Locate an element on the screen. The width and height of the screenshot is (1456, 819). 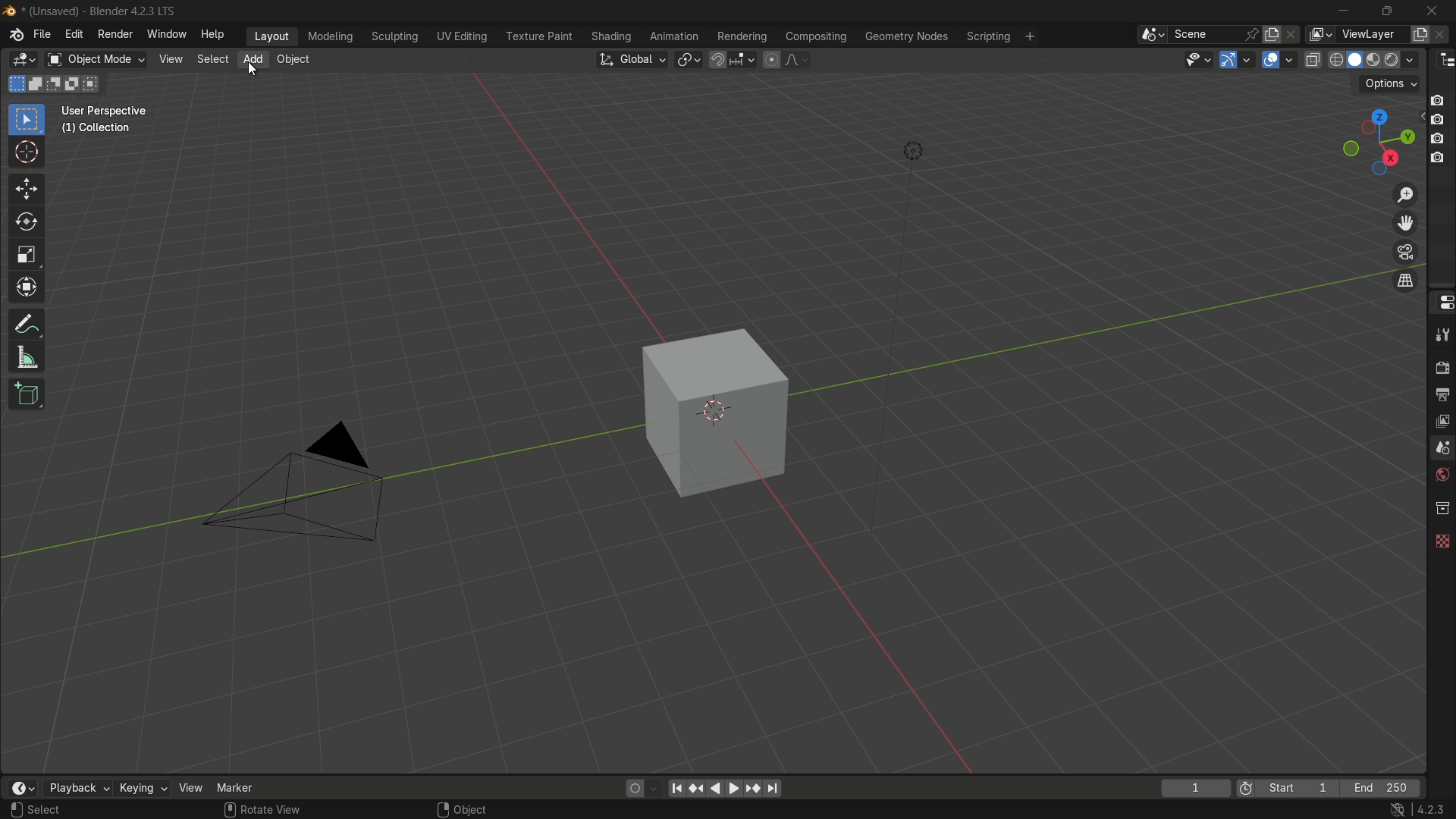
toggle x-ray is located at coordinates (1313, 59).